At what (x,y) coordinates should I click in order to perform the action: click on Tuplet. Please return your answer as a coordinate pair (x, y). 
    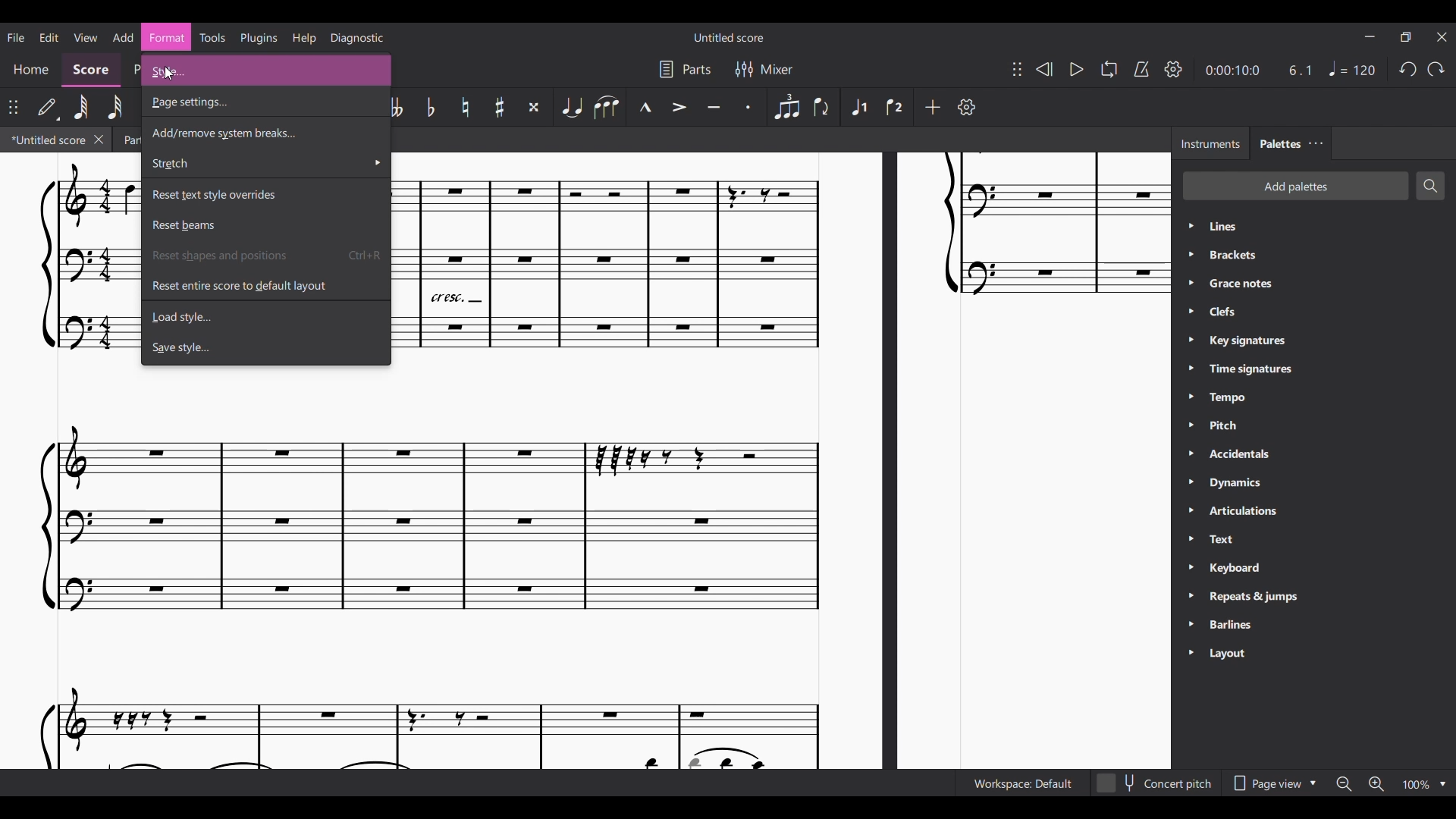
    Looking at the image, I should click on (786, 107).